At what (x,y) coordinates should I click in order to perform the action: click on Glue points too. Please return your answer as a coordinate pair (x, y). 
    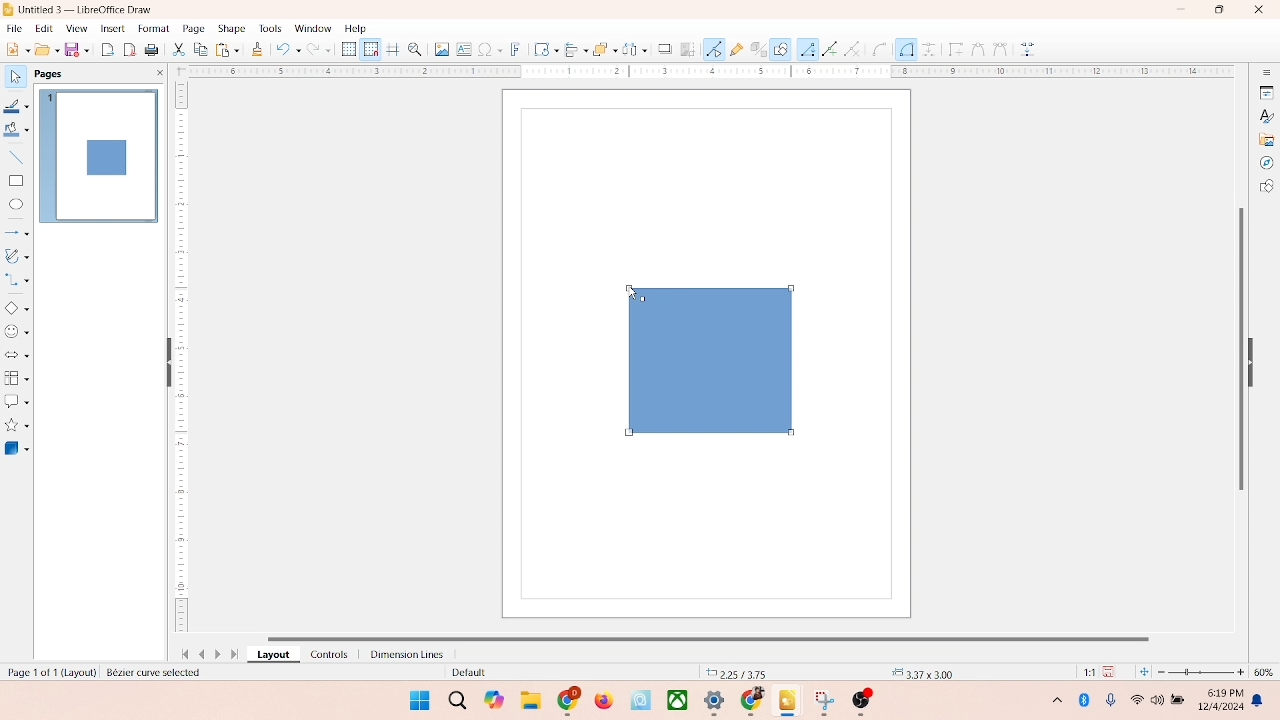
    Looking at the image, I should click on (1029, 50).